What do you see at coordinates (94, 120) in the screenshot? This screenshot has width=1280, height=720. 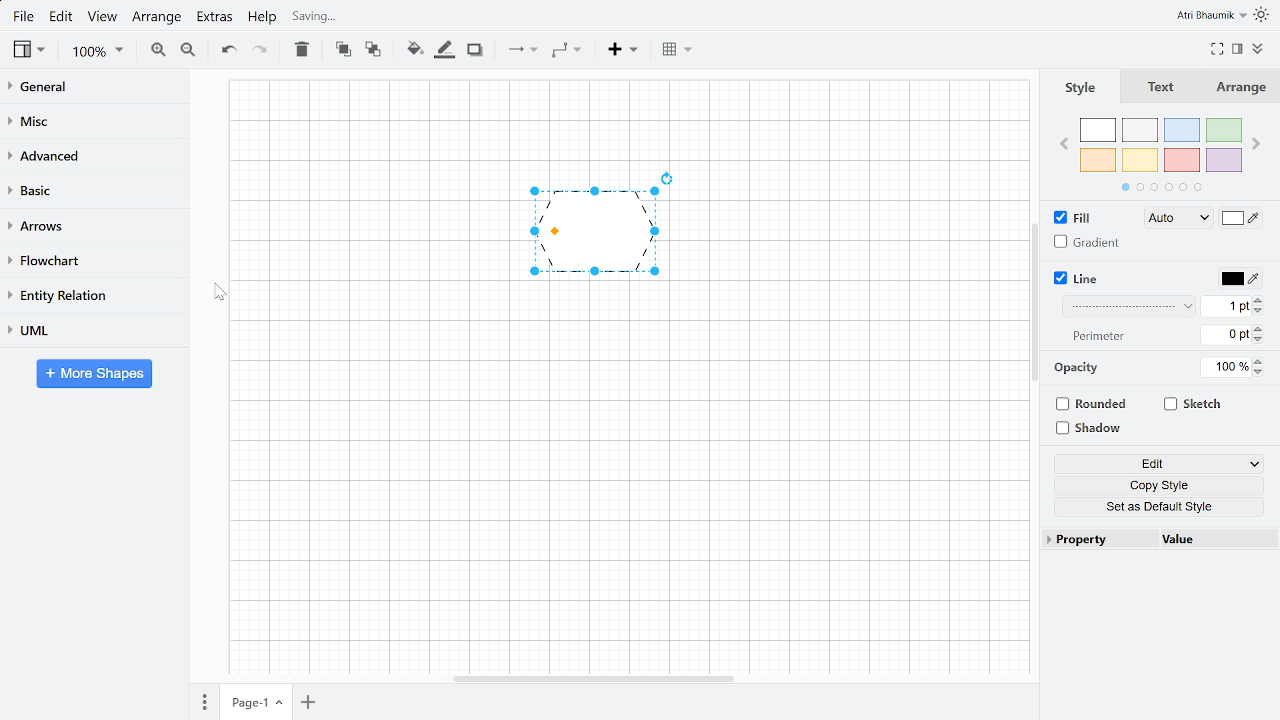 I see `Misc` at bounding box center [94, 120].